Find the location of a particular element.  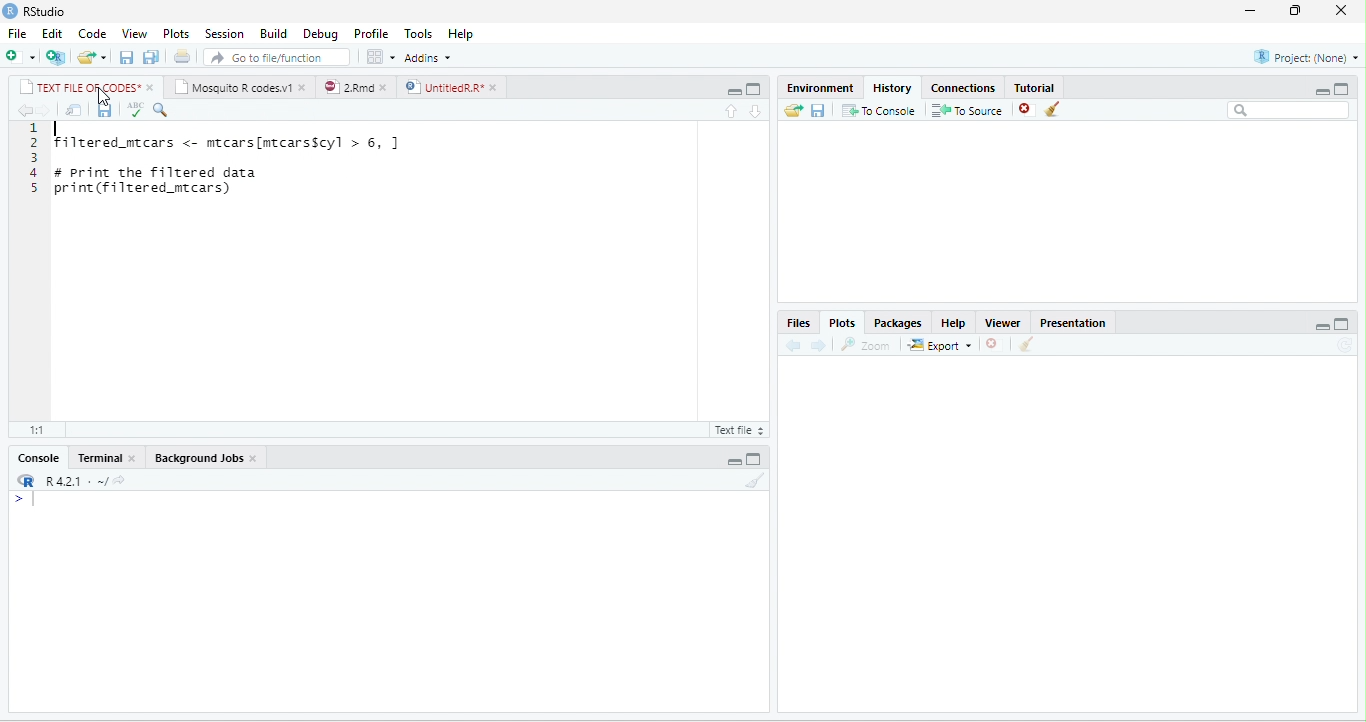

Environment is located at coordinates (820, 88).